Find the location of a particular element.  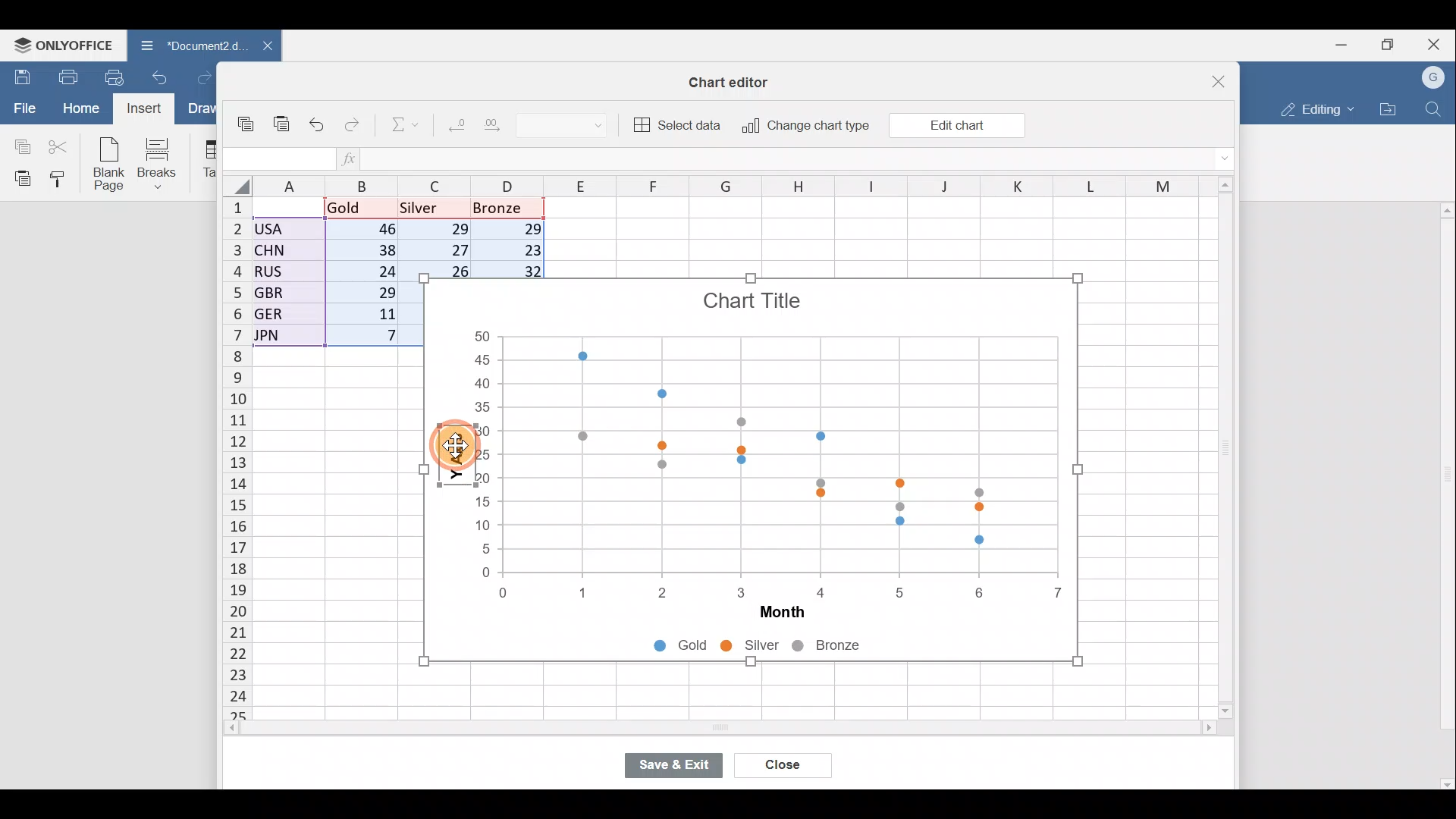

Close is located at coordinates (783, 763).